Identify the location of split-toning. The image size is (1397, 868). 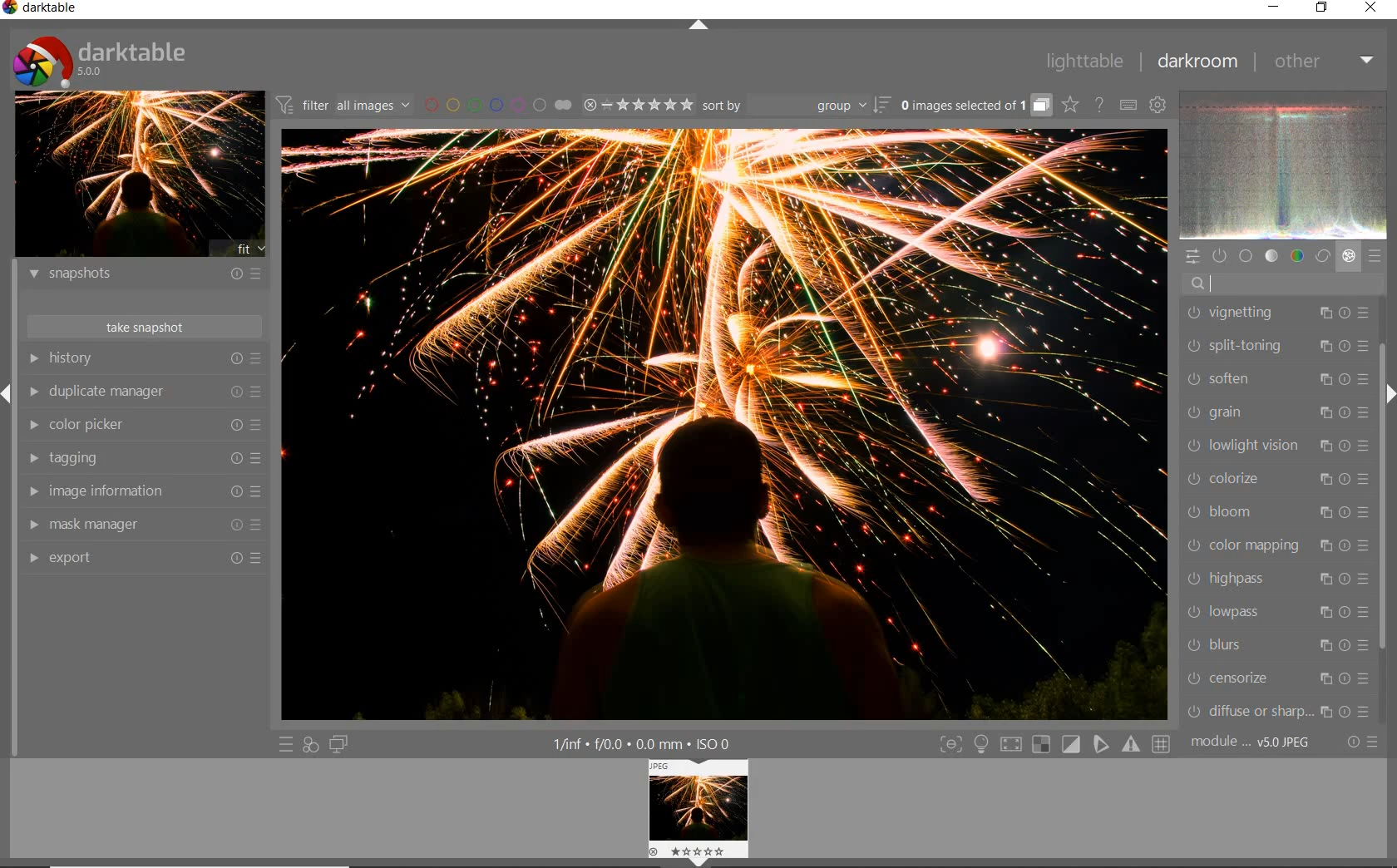
(1276, 346).